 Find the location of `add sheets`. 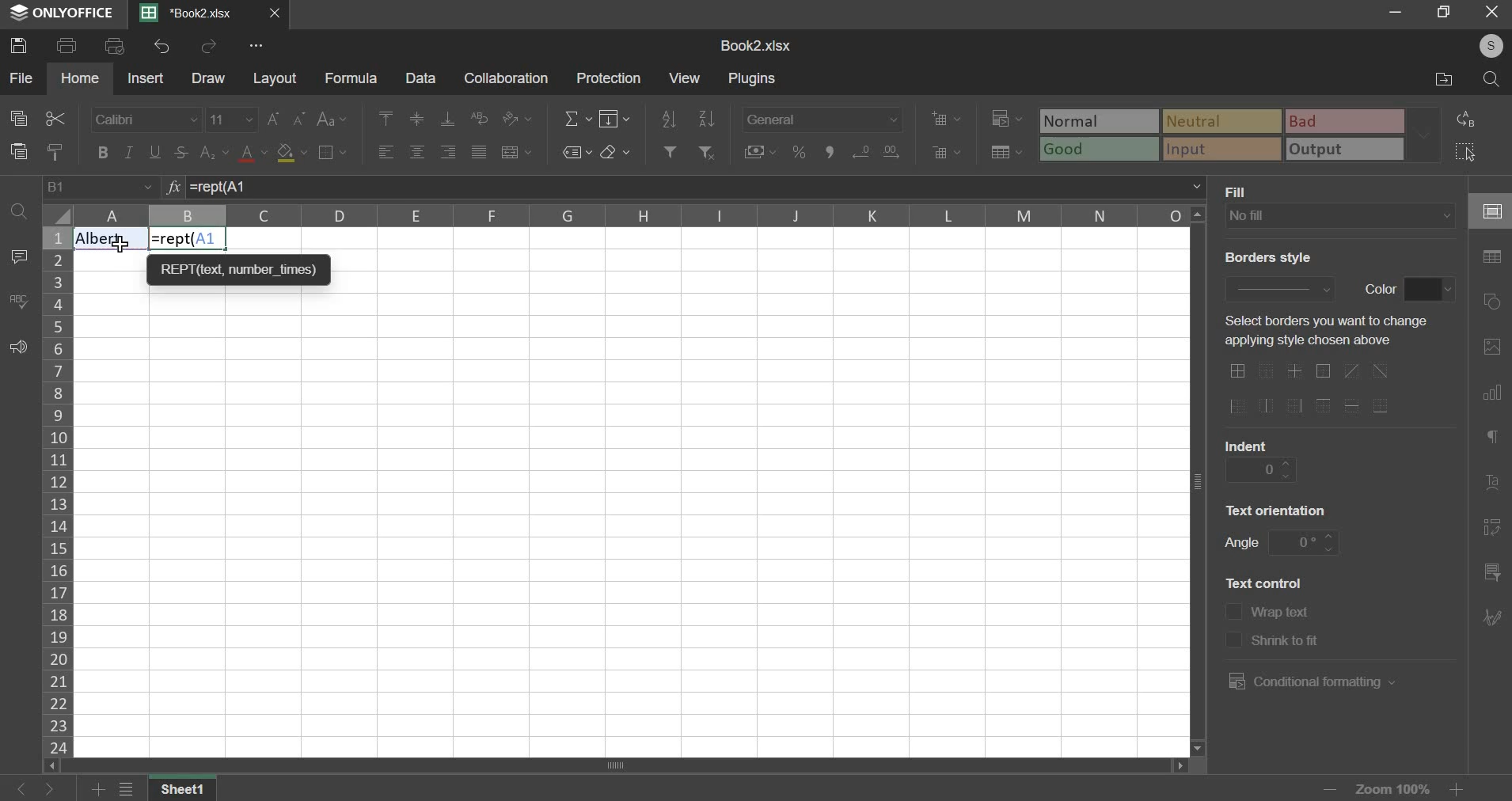

add sheets is located at coordinates (97, 788).